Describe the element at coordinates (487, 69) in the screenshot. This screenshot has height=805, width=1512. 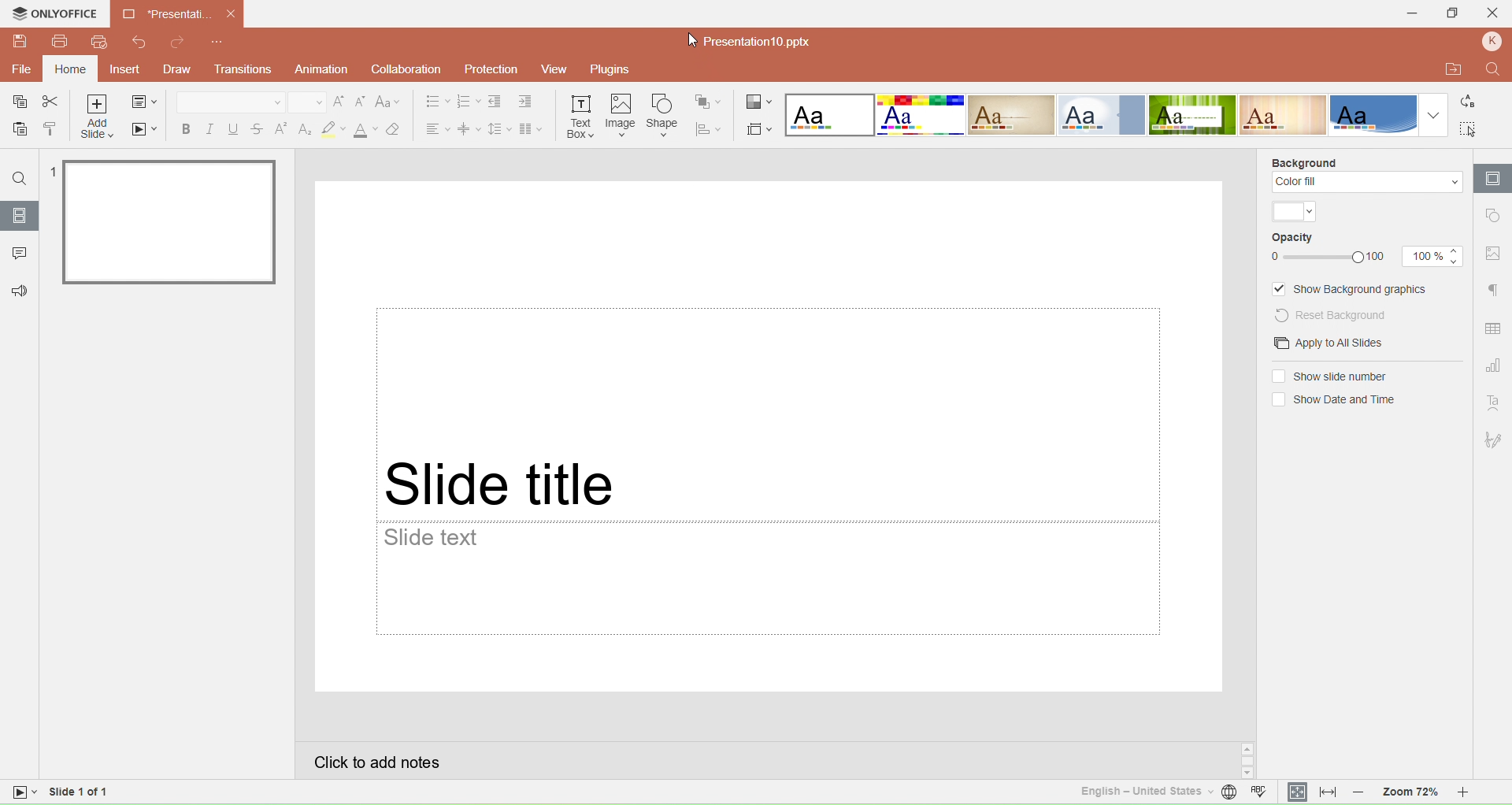
I see `Protection` at that location.